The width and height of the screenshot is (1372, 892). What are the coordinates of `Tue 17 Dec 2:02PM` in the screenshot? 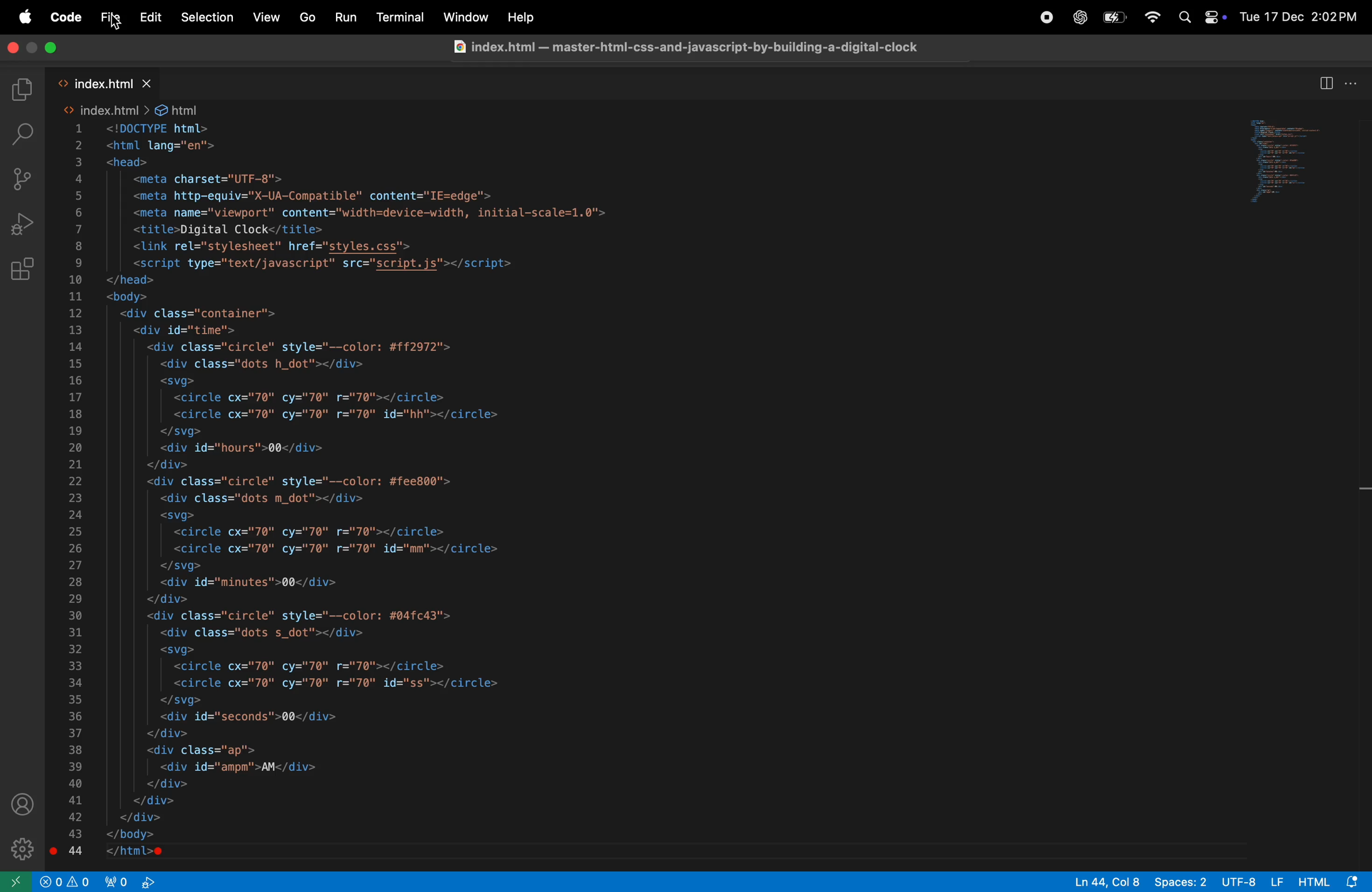 It's located at (1299, 18).